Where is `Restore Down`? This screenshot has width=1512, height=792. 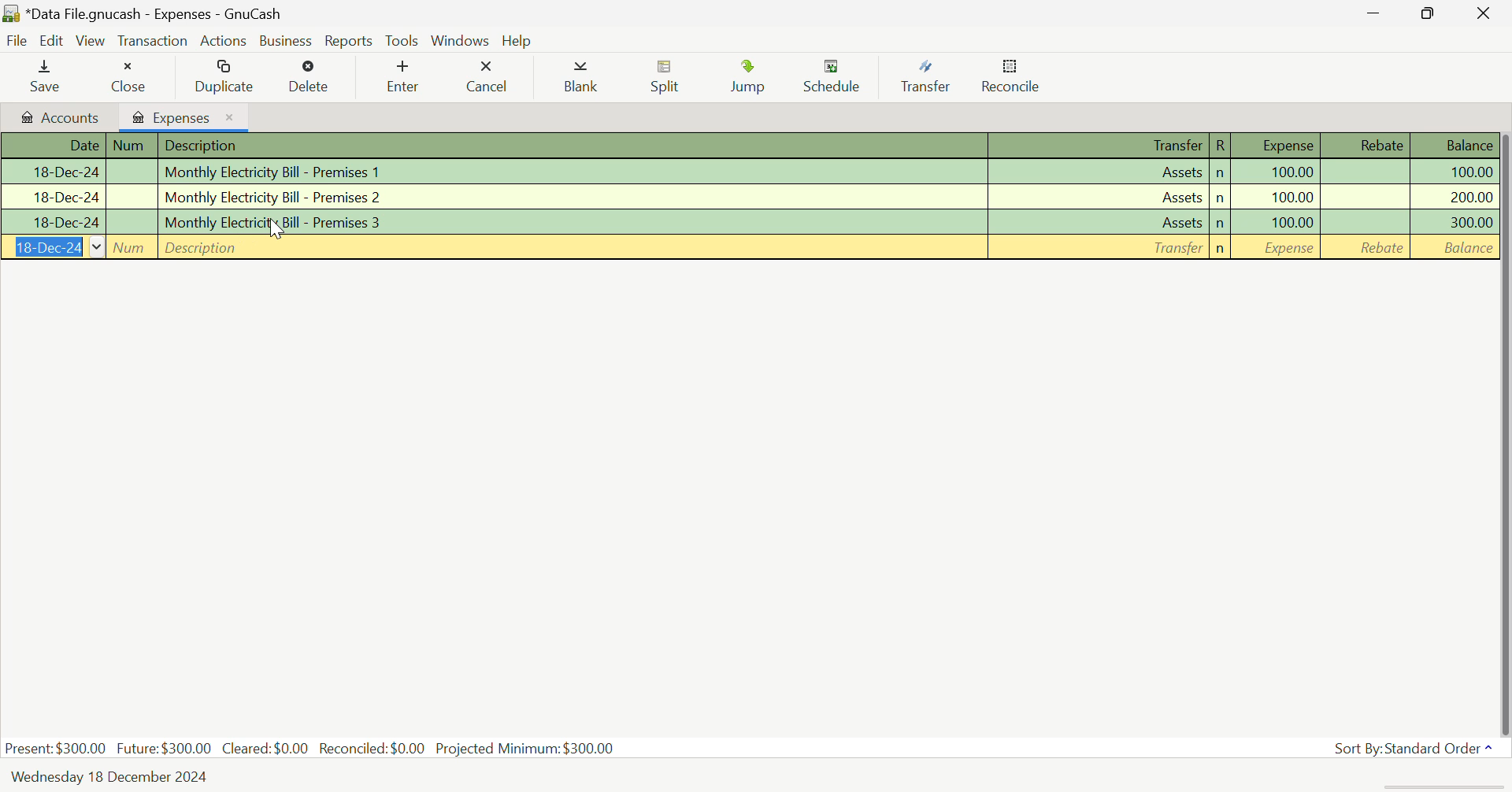 Restore Down is located at coordinates (1371, 12).